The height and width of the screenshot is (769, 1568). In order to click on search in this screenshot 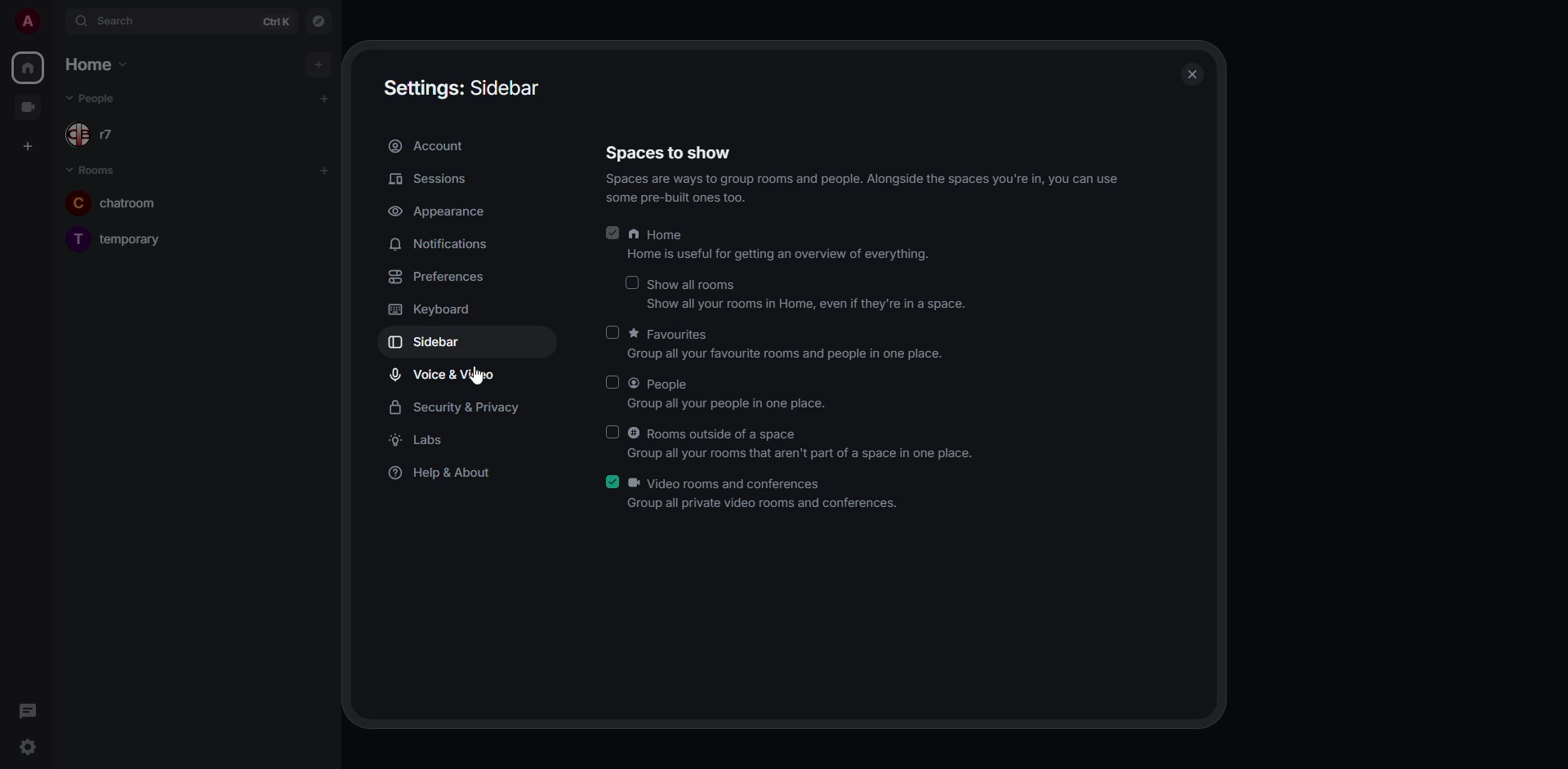, I will do `click(121, 21)`.